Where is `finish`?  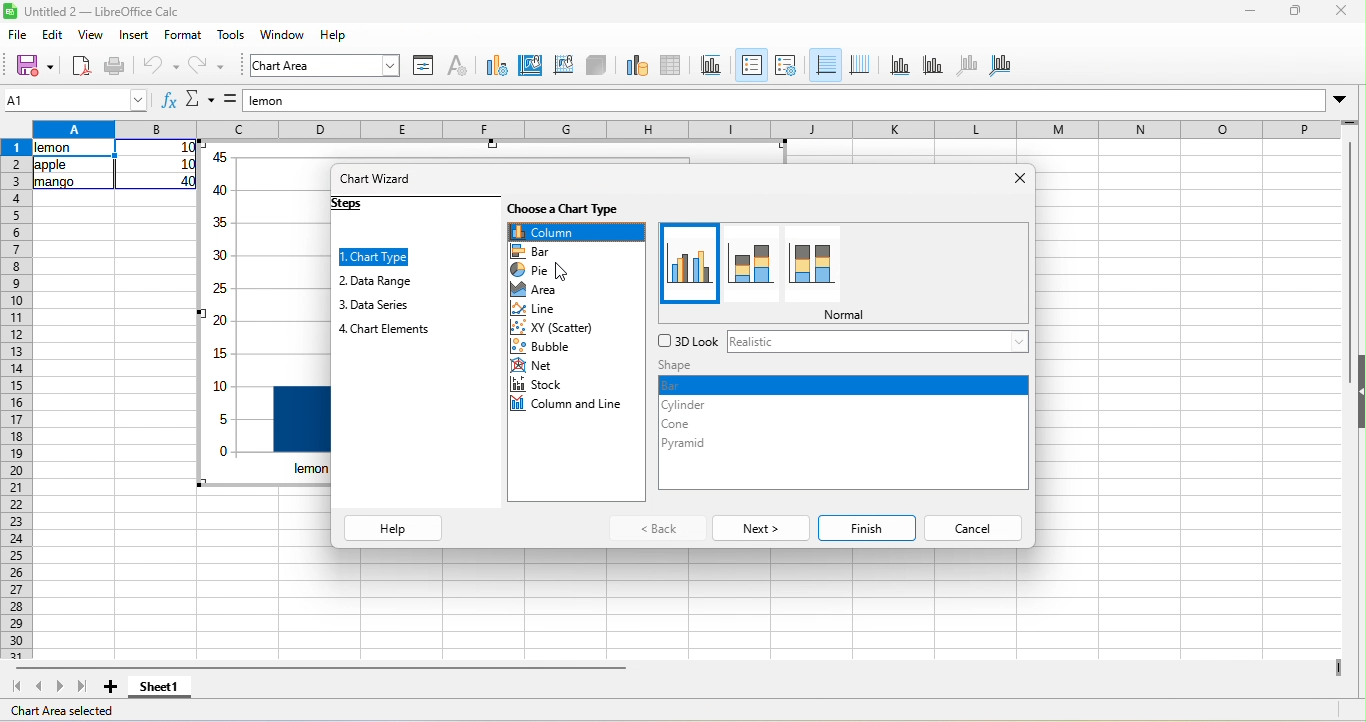
finish is located at coordinates (867, 527).